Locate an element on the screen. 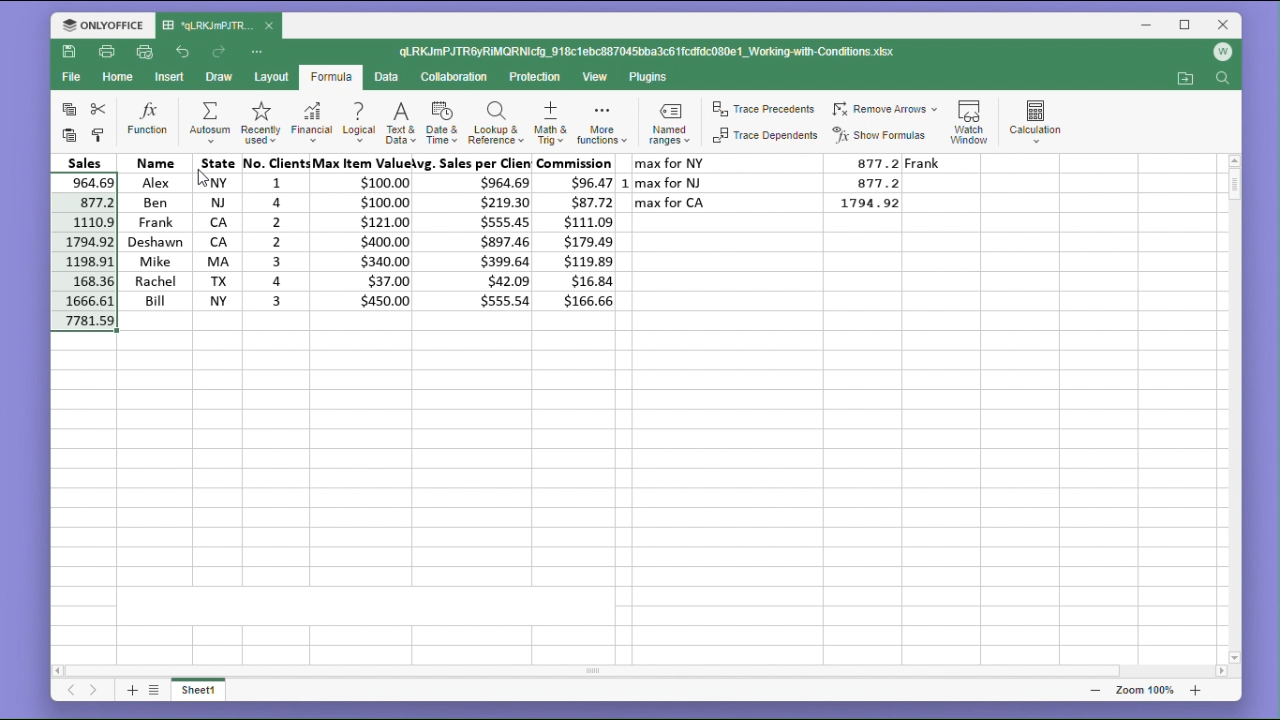  view is located at coordinates (597, 78).